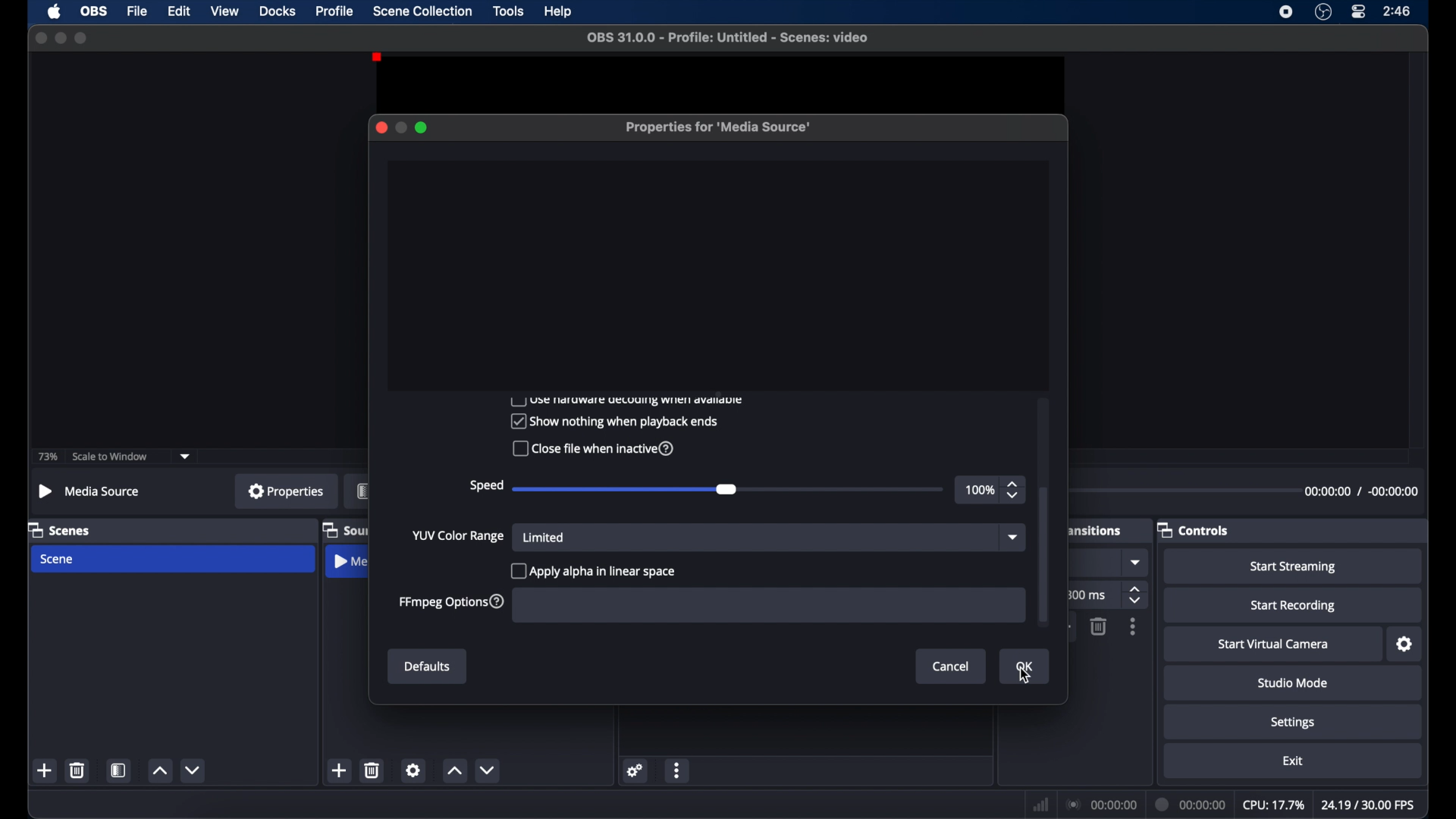  What do you see at coordinates (1040, 805) in the screenshot?
I see `network` at bounding box center [1040, 805].